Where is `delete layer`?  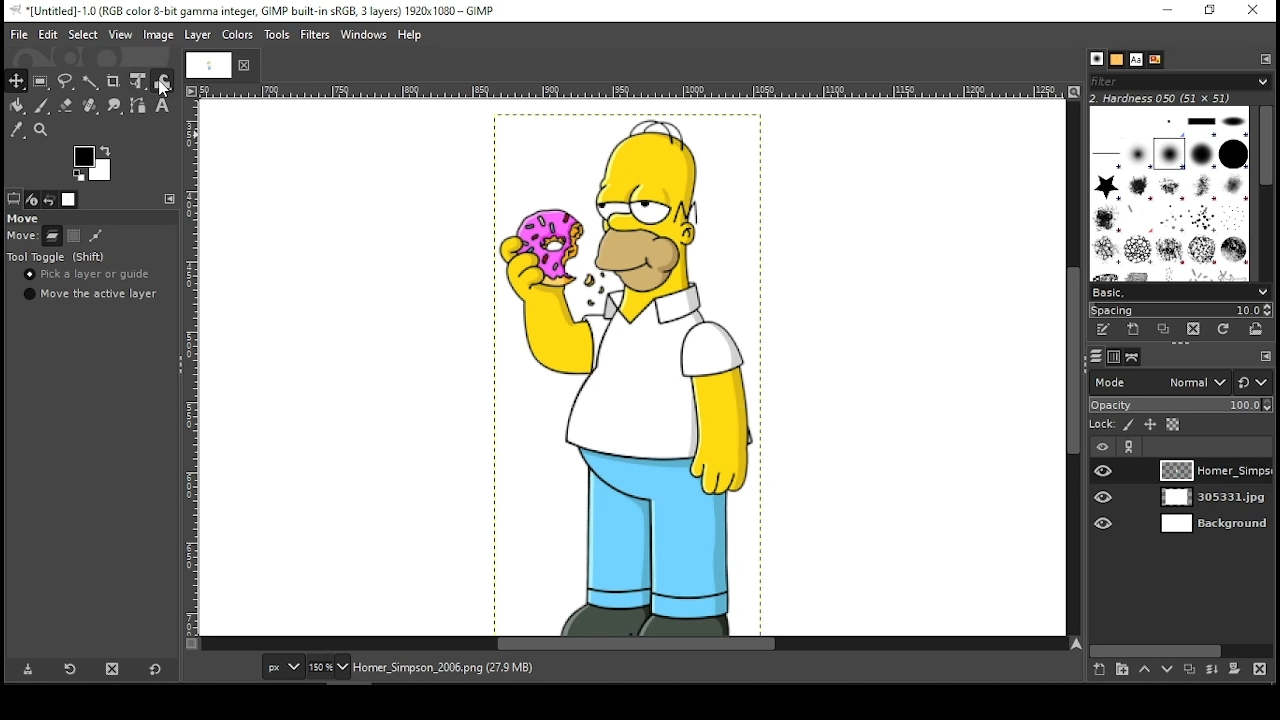
delete layer is located at coordinates (1261, 671).